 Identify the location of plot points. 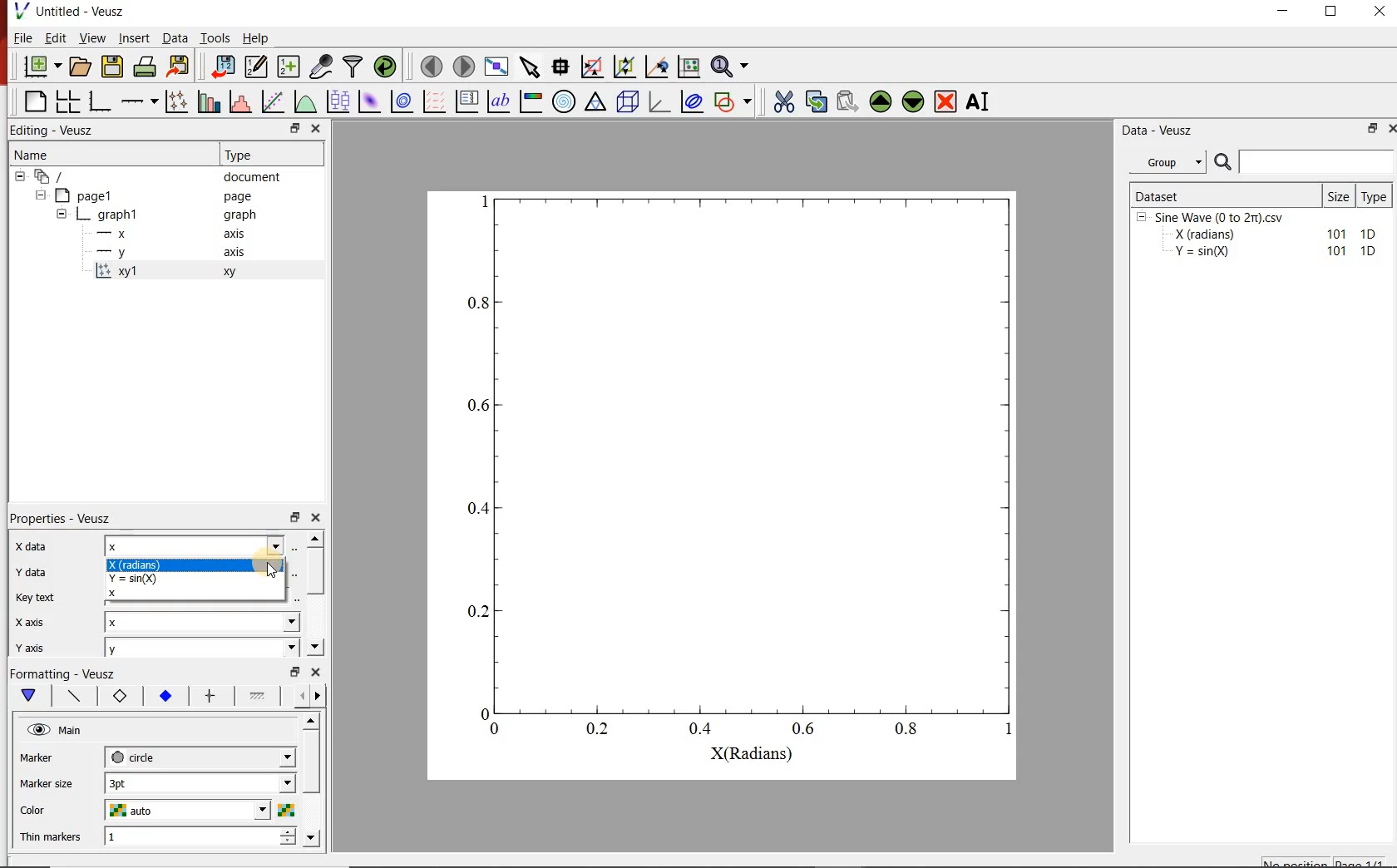
(179, 101).